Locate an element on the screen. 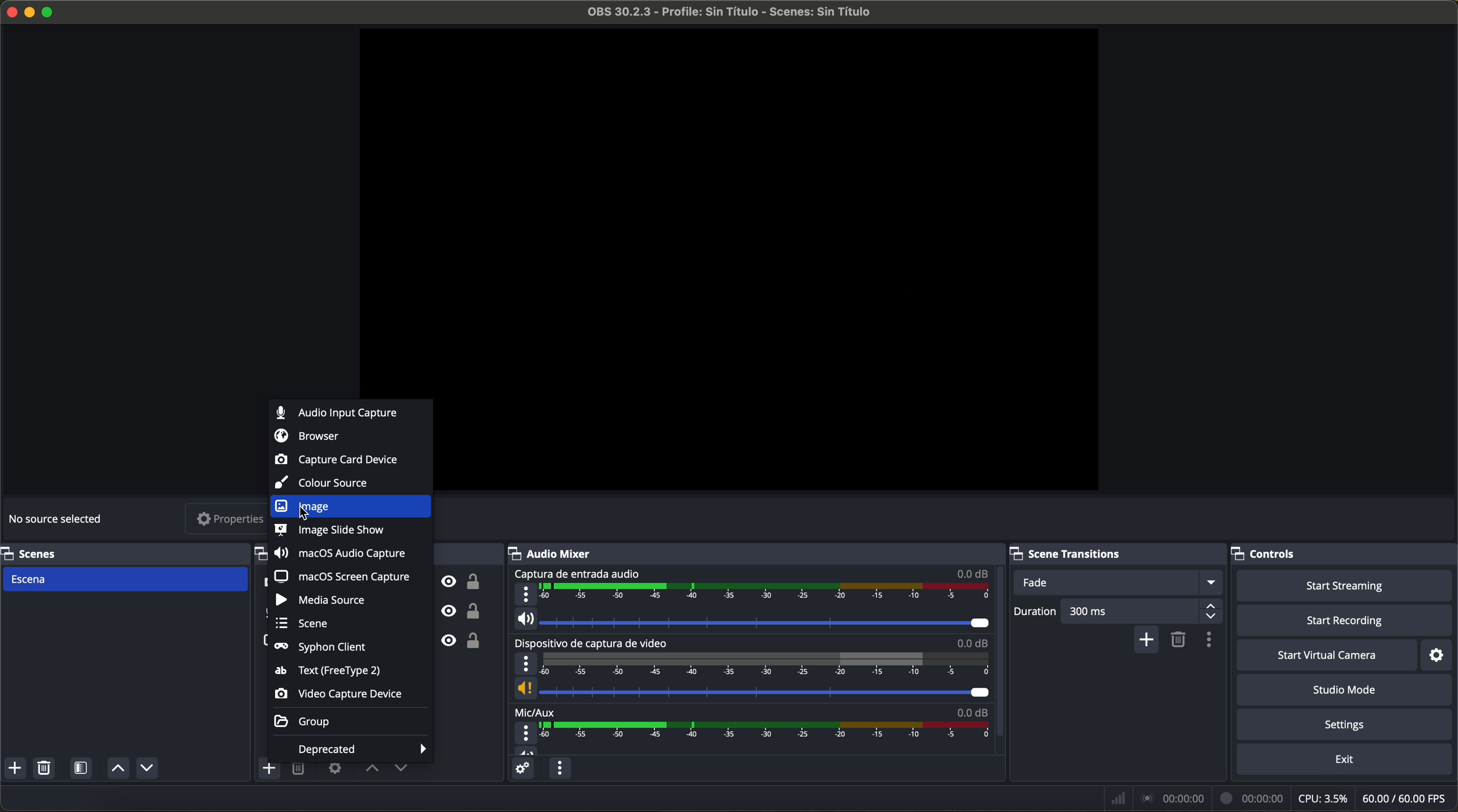  settings is located at coordinates (1442, 654).